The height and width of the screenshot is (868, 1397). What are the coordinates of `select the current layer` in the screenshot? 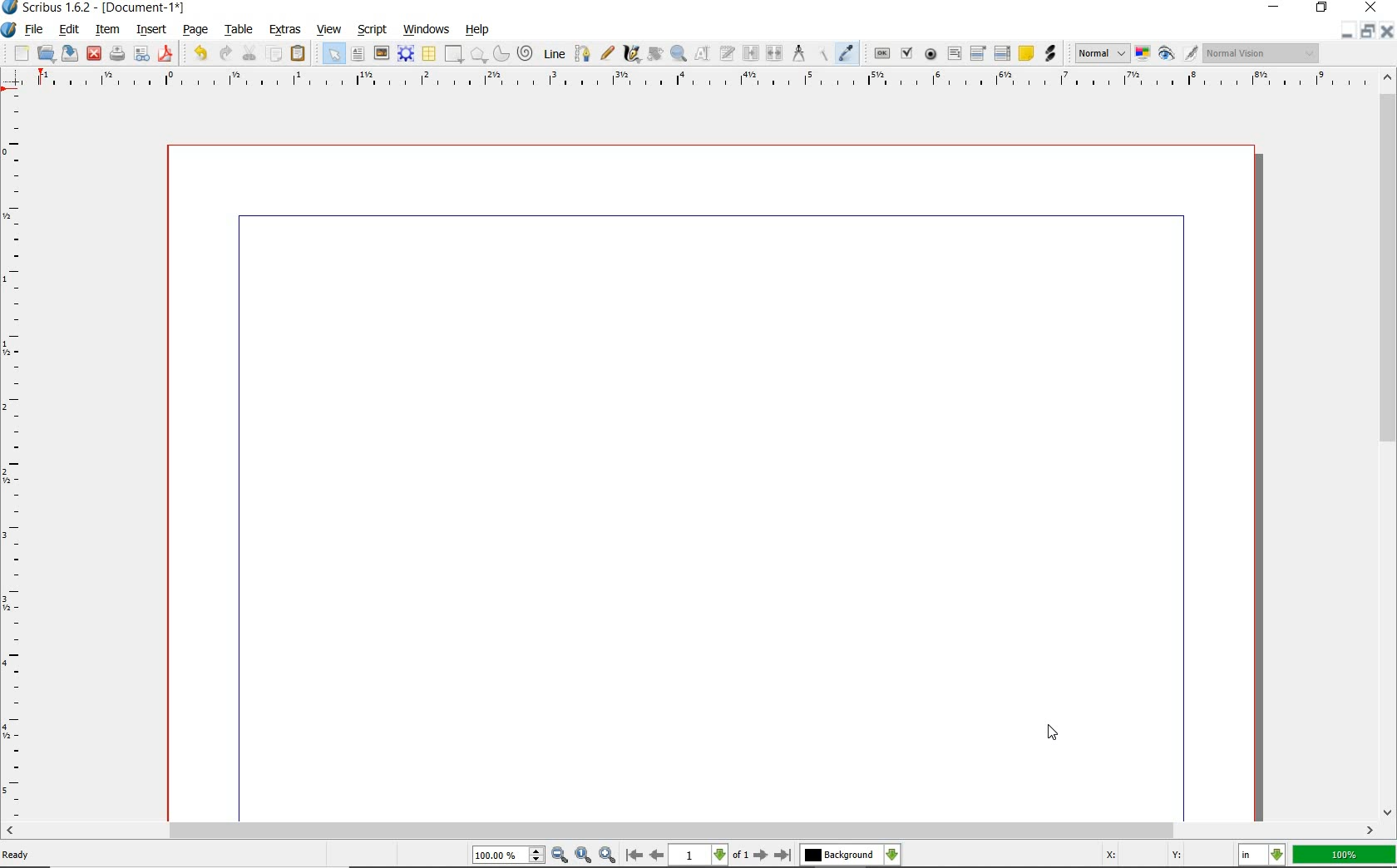 It's located at (850, 856).